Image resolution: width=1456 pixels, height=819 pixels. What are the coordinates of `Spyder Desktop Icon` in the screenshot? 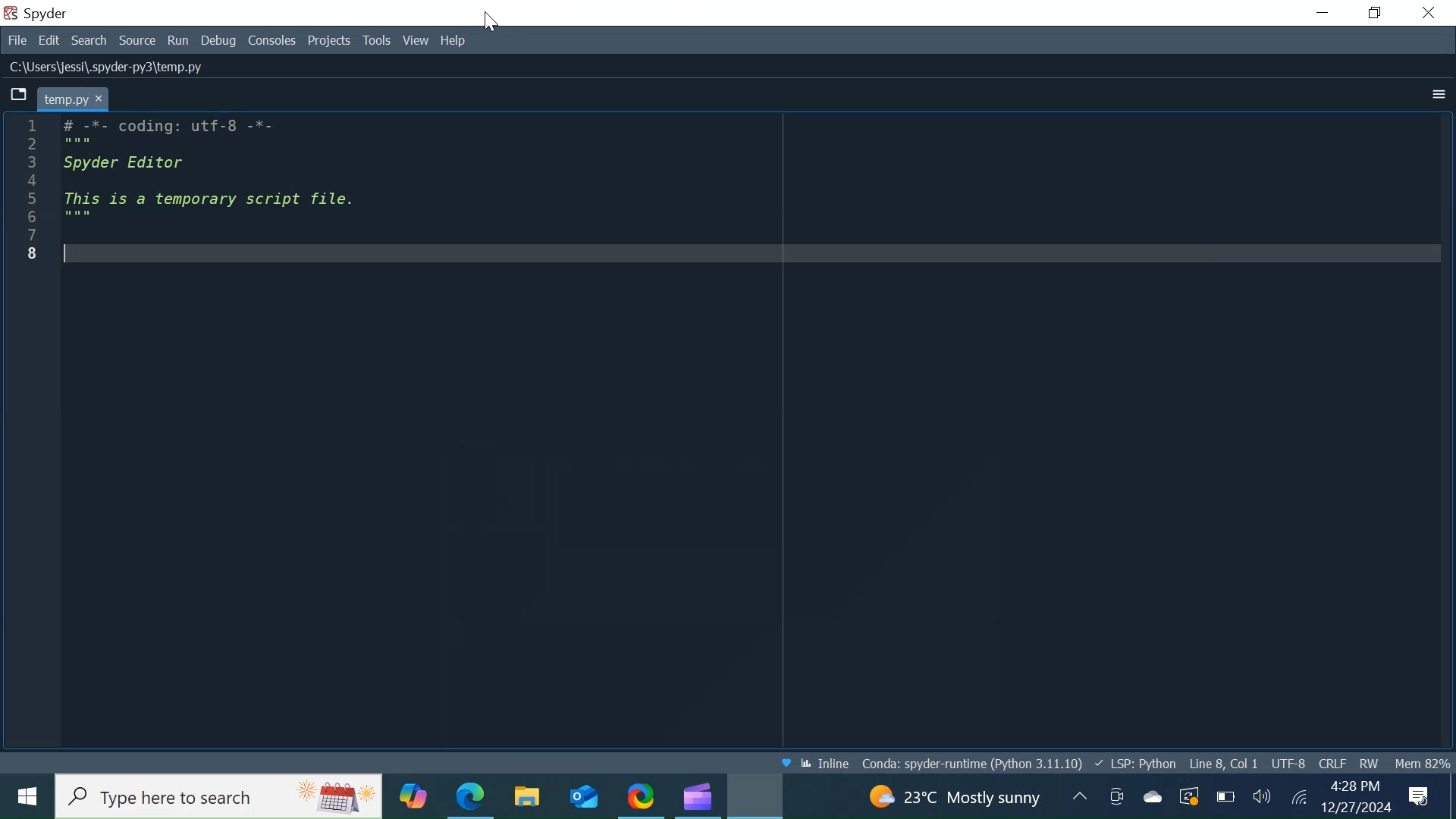 It's located at (37, 13).